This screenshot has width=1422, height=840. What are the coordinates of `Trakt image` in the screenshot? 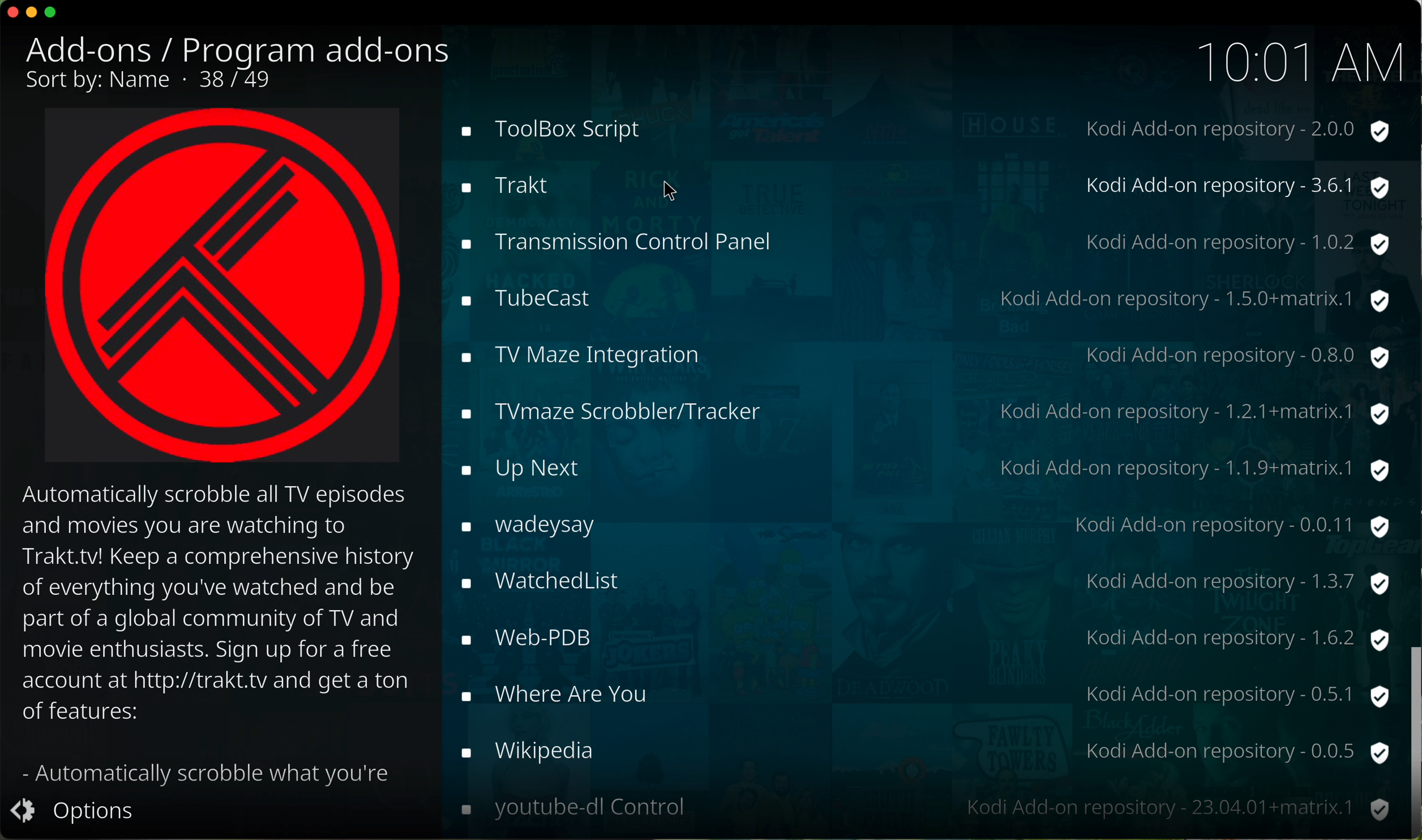 It's located at (225, 288).